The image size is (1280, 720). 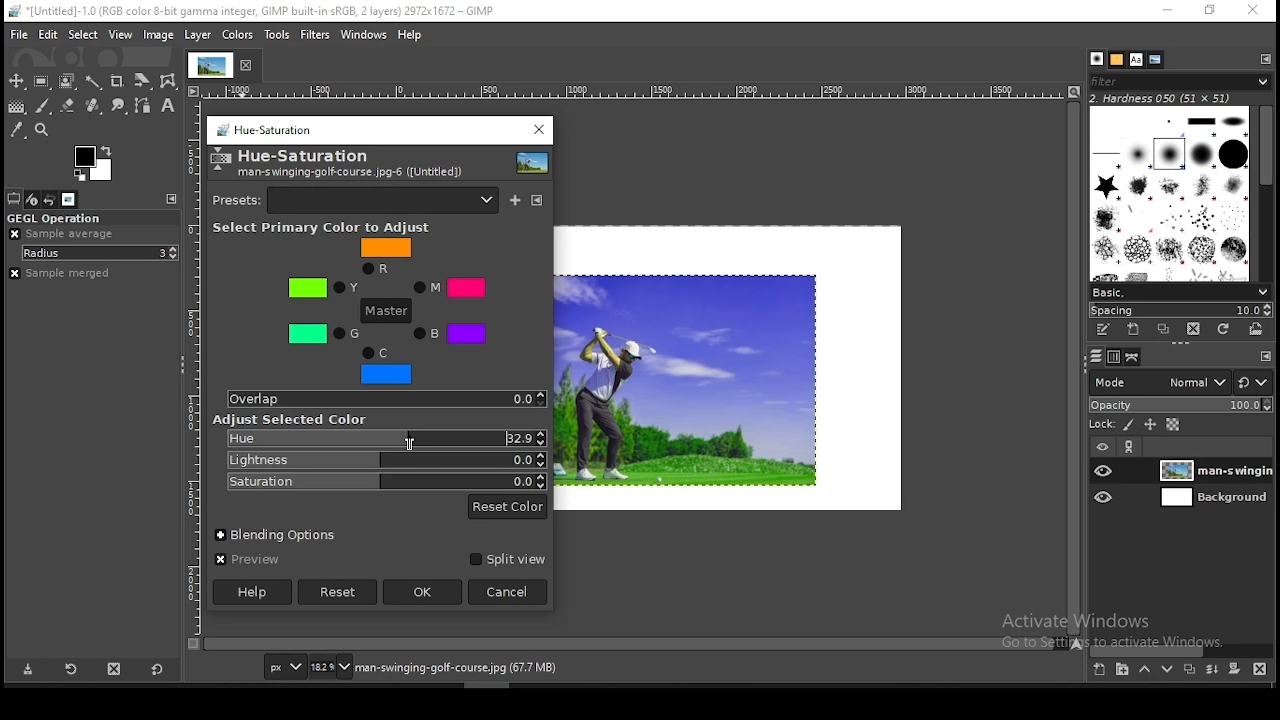 What do you see at coordinates (1263, 355) in the screenshot?
I see `configure this tab` at bounding box center [1263, 355].